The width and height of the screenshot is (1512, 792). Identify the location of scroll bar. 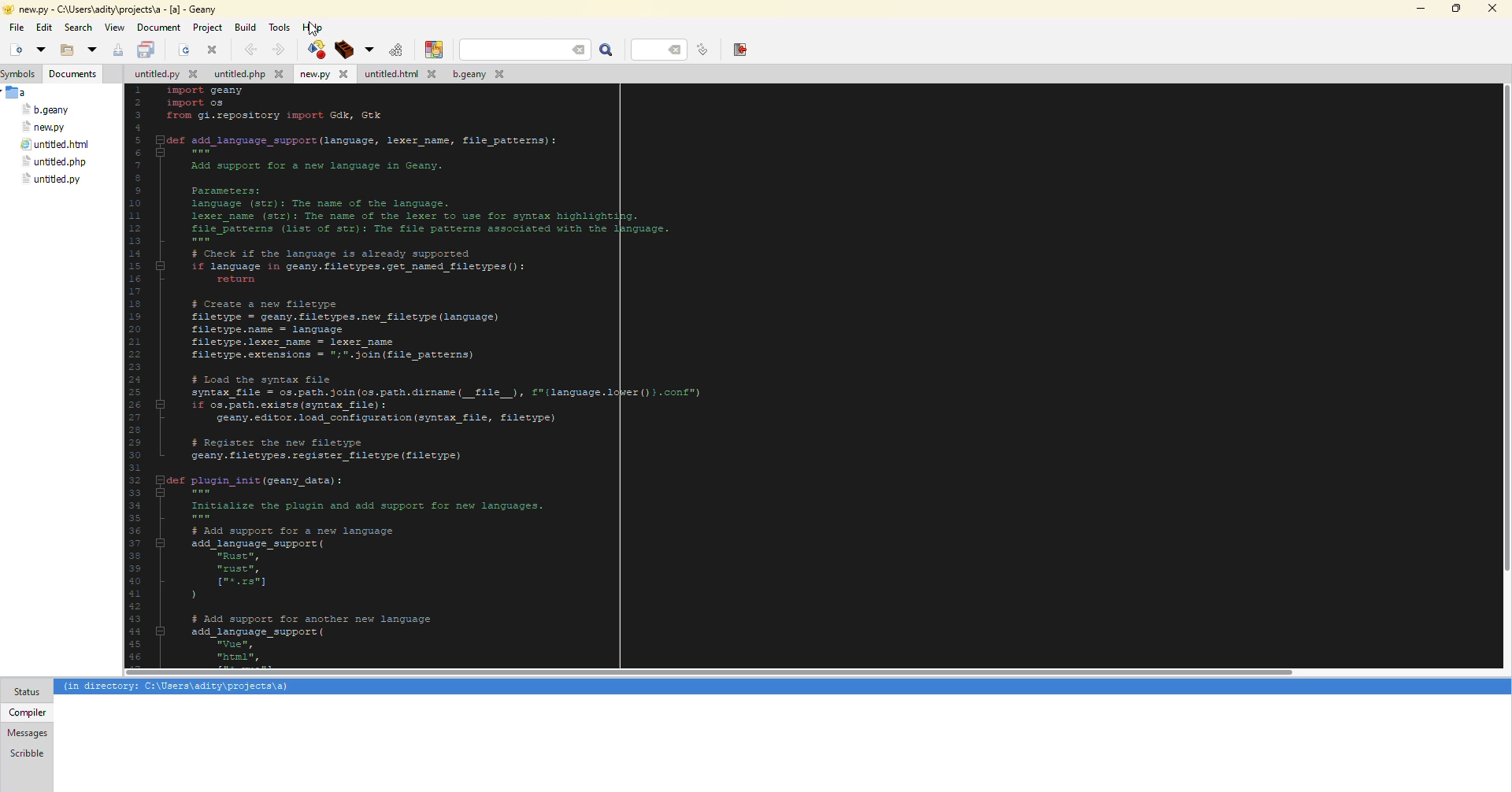
(710, 673).